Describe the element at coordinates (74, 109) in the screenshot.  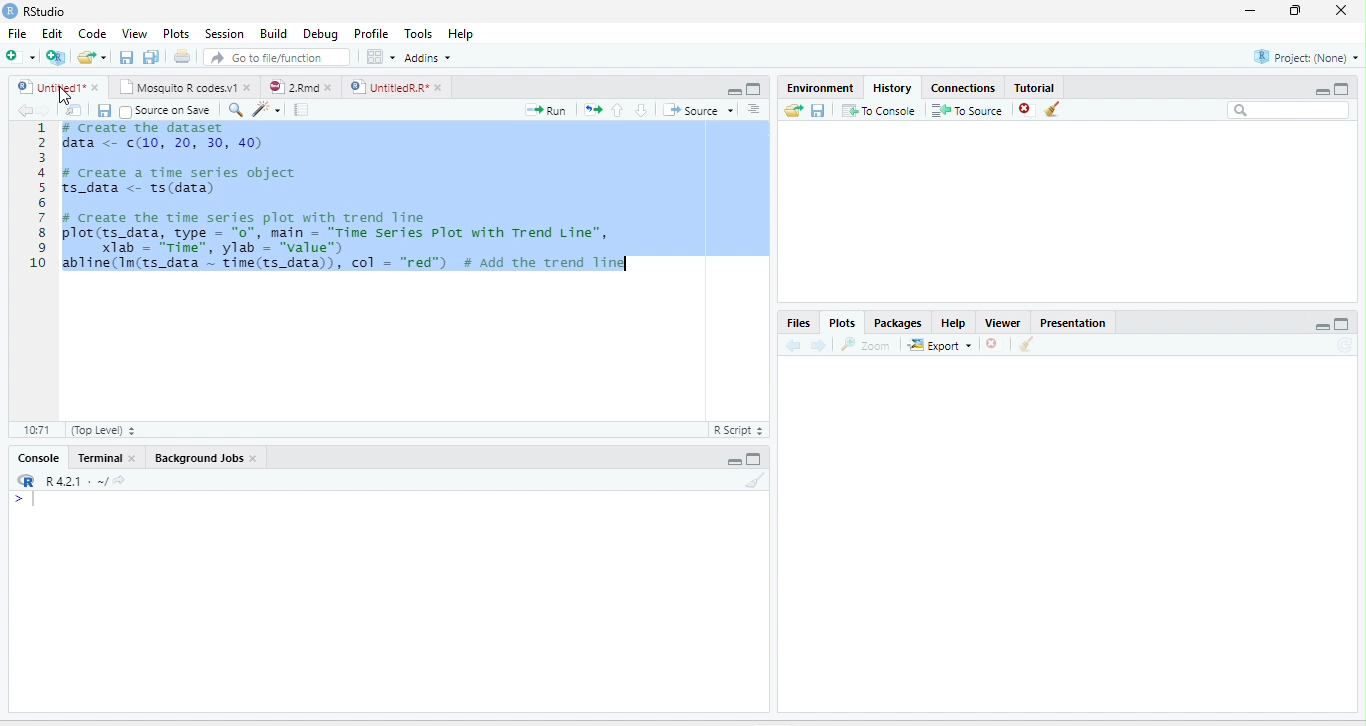
I see `Show in new window` at that location.